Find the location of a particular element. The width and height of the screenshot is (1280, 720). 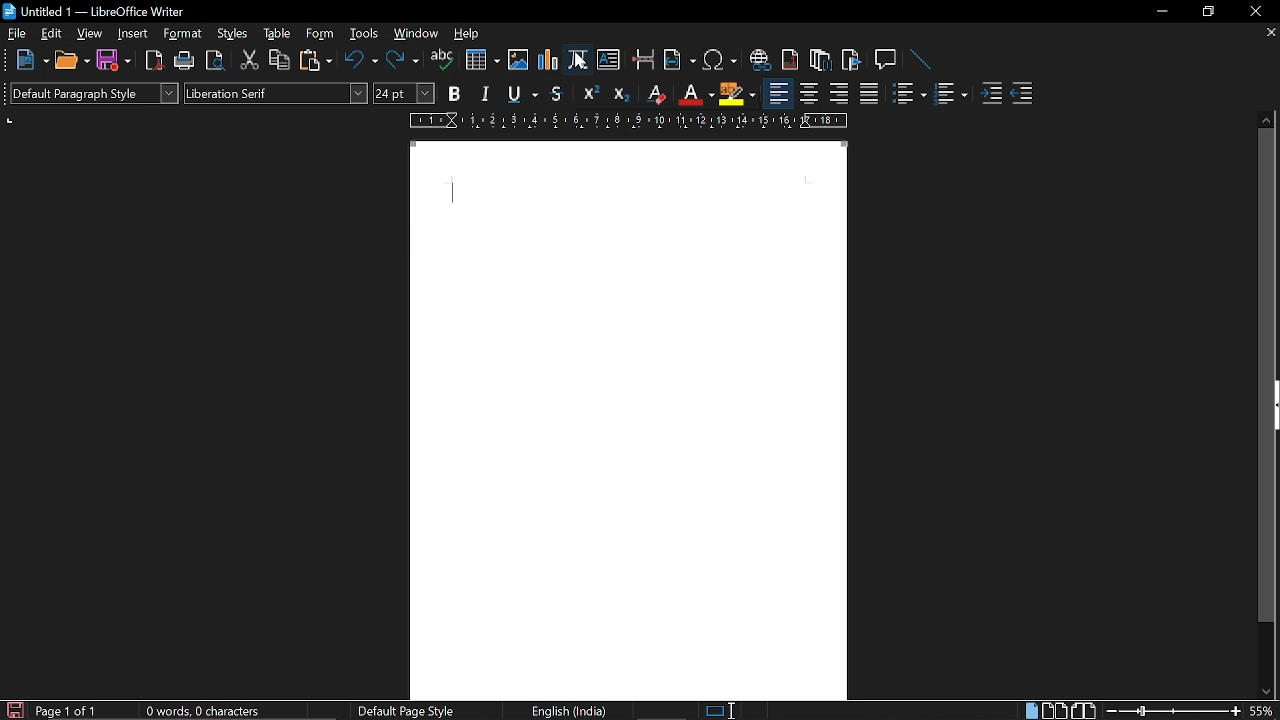

current page is located at coordinates (629, 420).